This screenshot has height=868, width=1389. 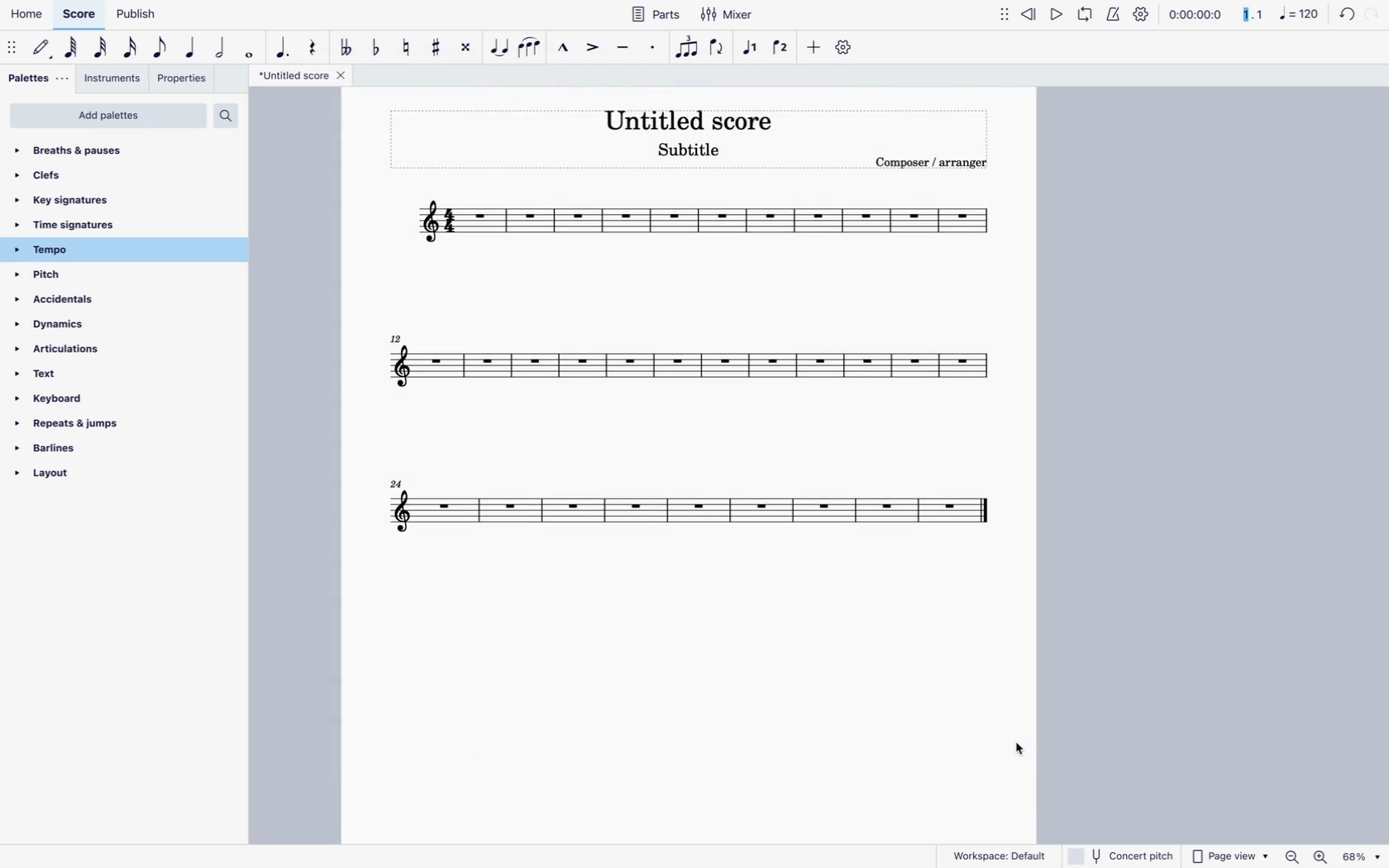 What do you see at coordinates (753, 48) in the screenshot?
I see `voice 1` at bounding box center [753, 48].